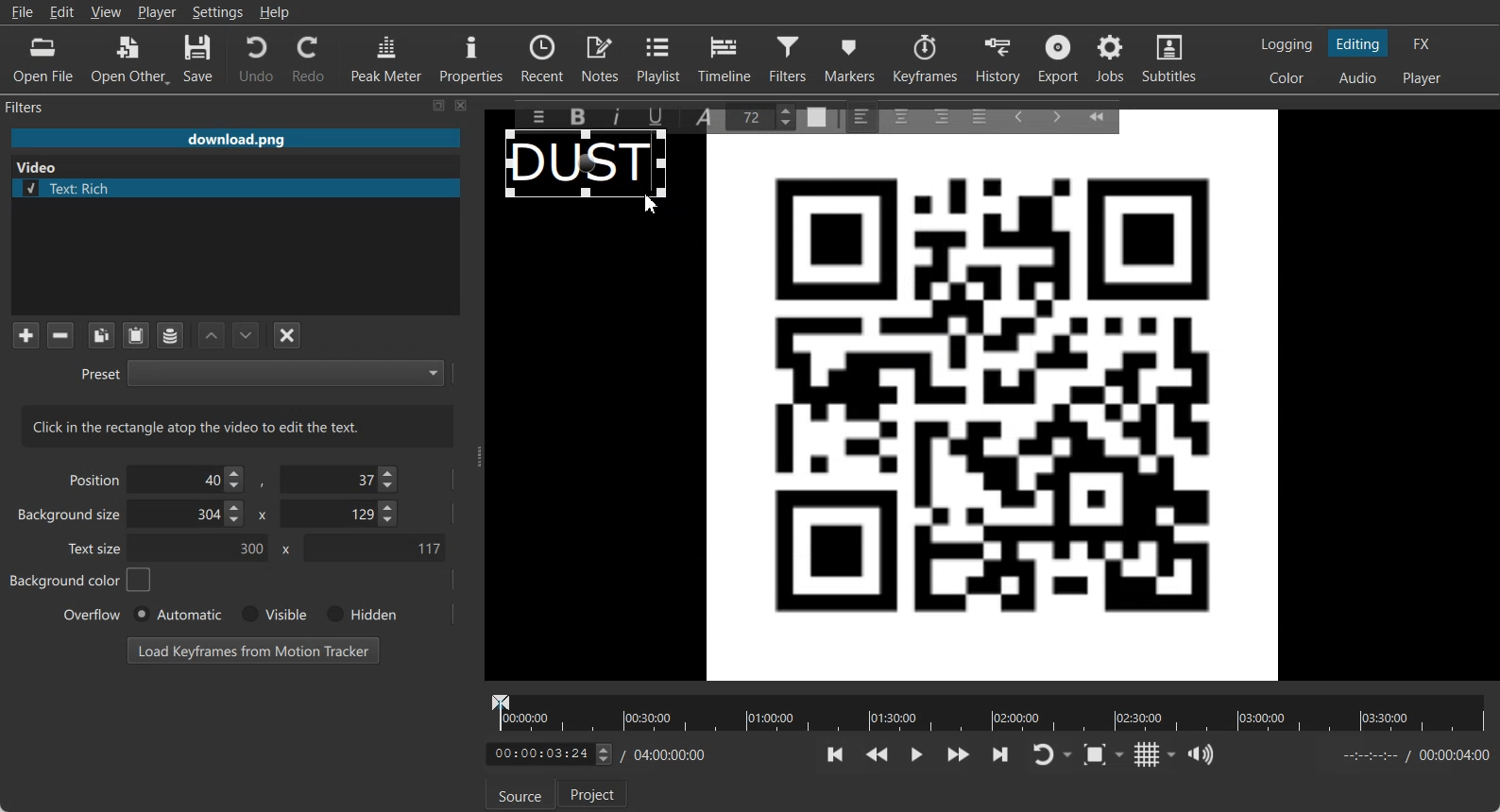  What do you see at coordinates (1057, 117) in the screenshot?
I see `Insert Indent` at bounding box center [1057, 117].